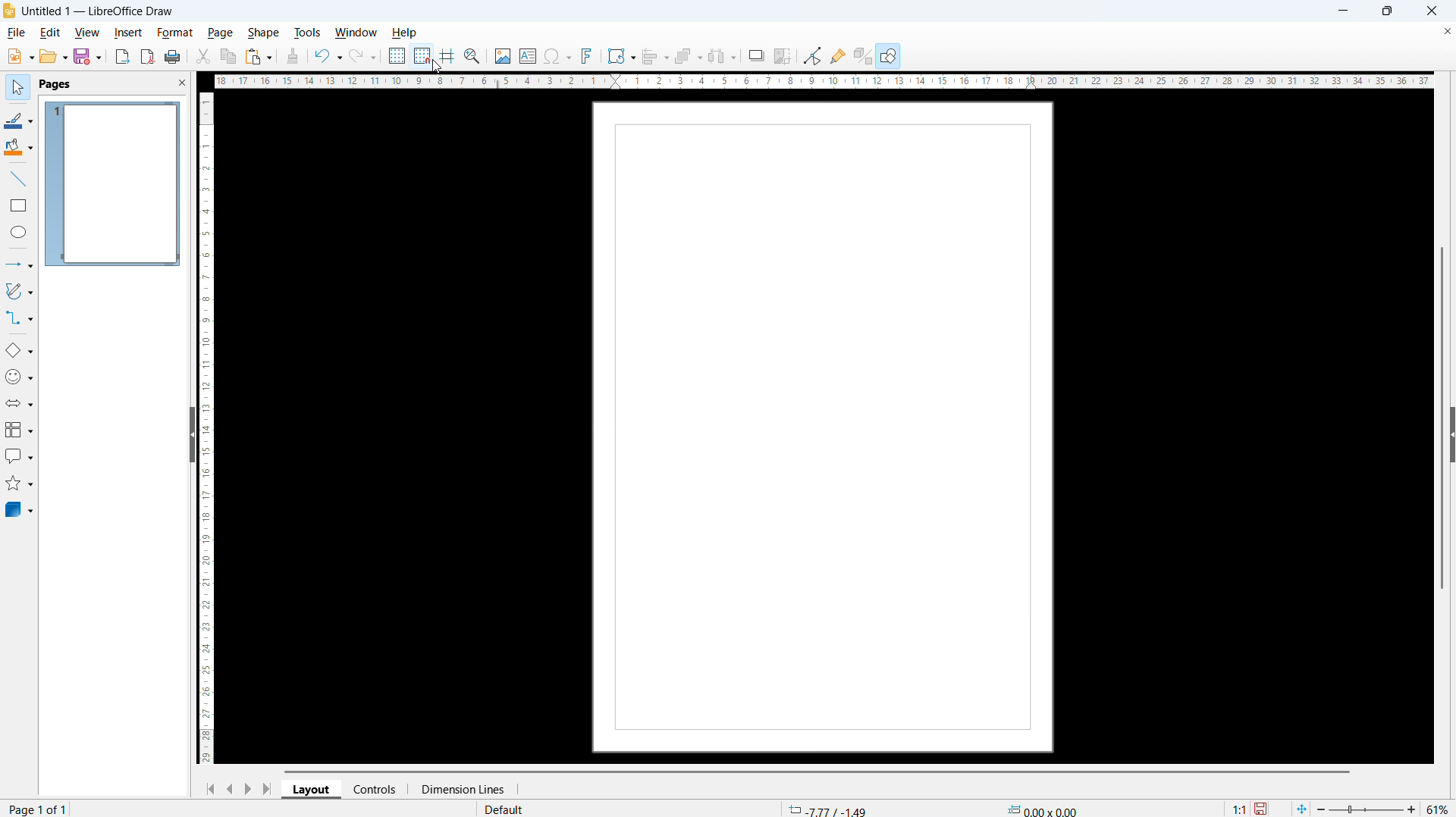  Describe the element at coordinates (20, 403) in the screenshot. I see `block arrows` at that location.